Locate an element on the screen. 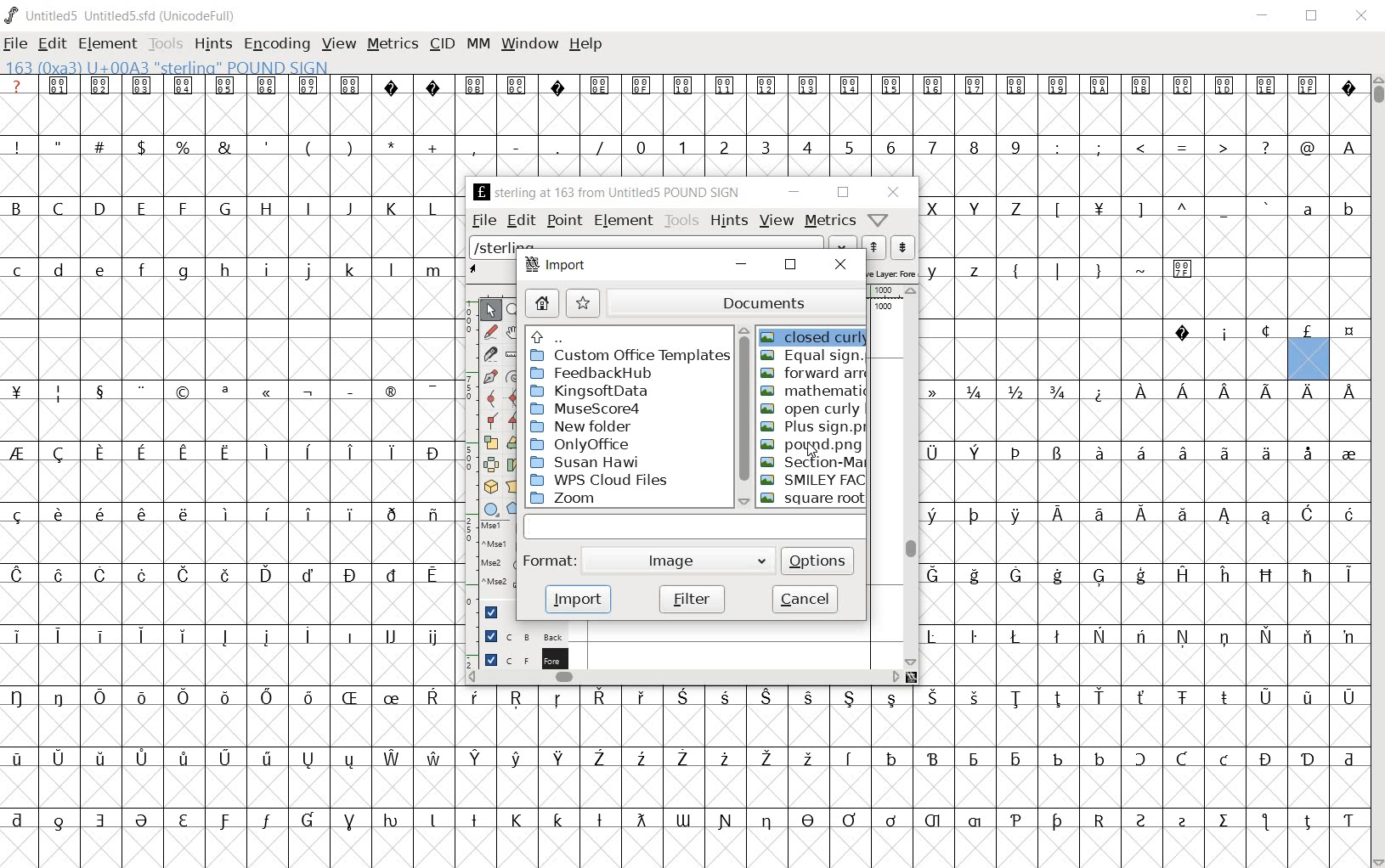  Image is located at coordinates (676, 564).